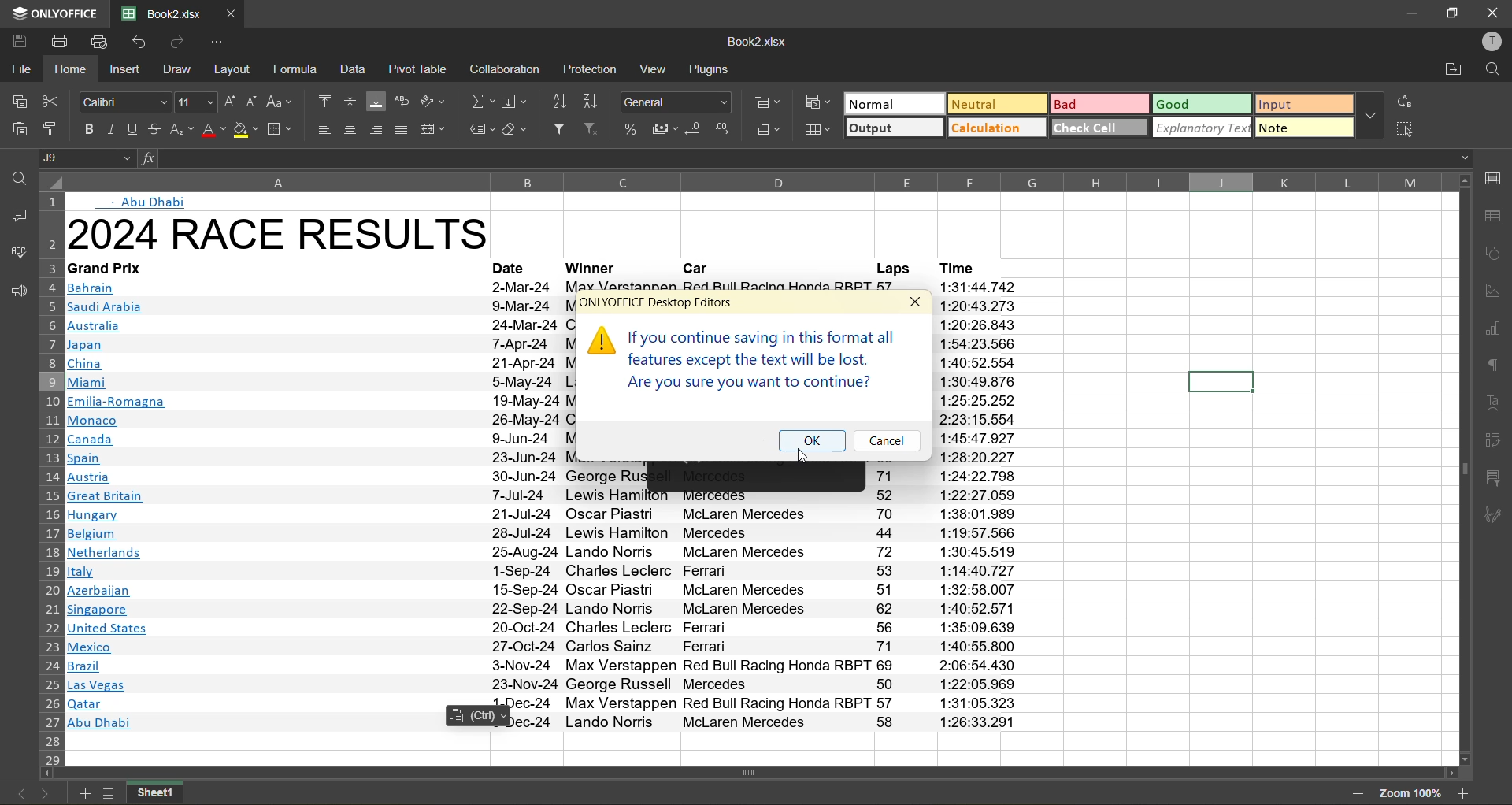 This screenshot has width=1512, height=805. I want to click on wrap text, so click(402, 102).